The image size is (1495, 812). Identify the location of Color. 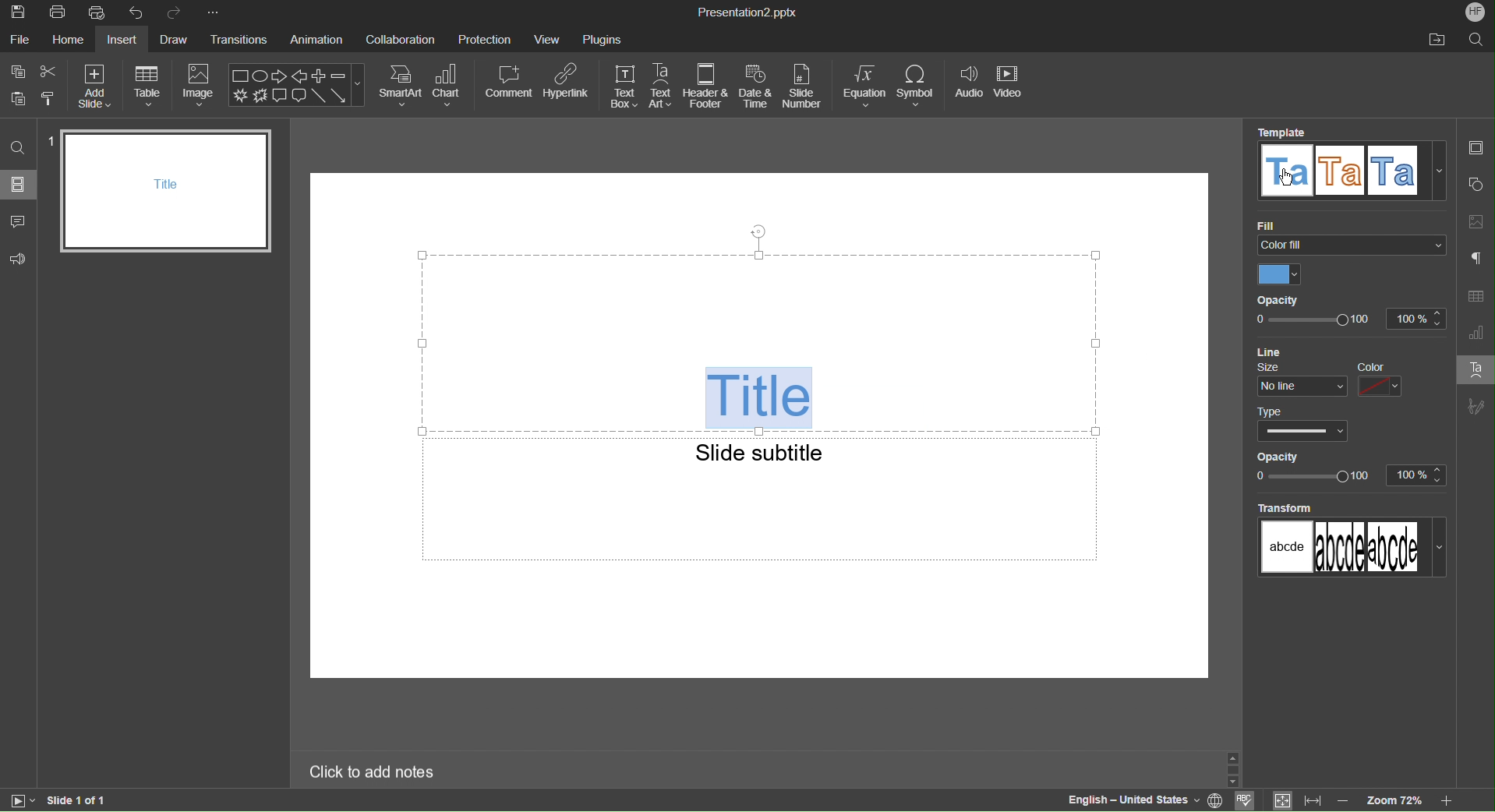
(1279, 274).